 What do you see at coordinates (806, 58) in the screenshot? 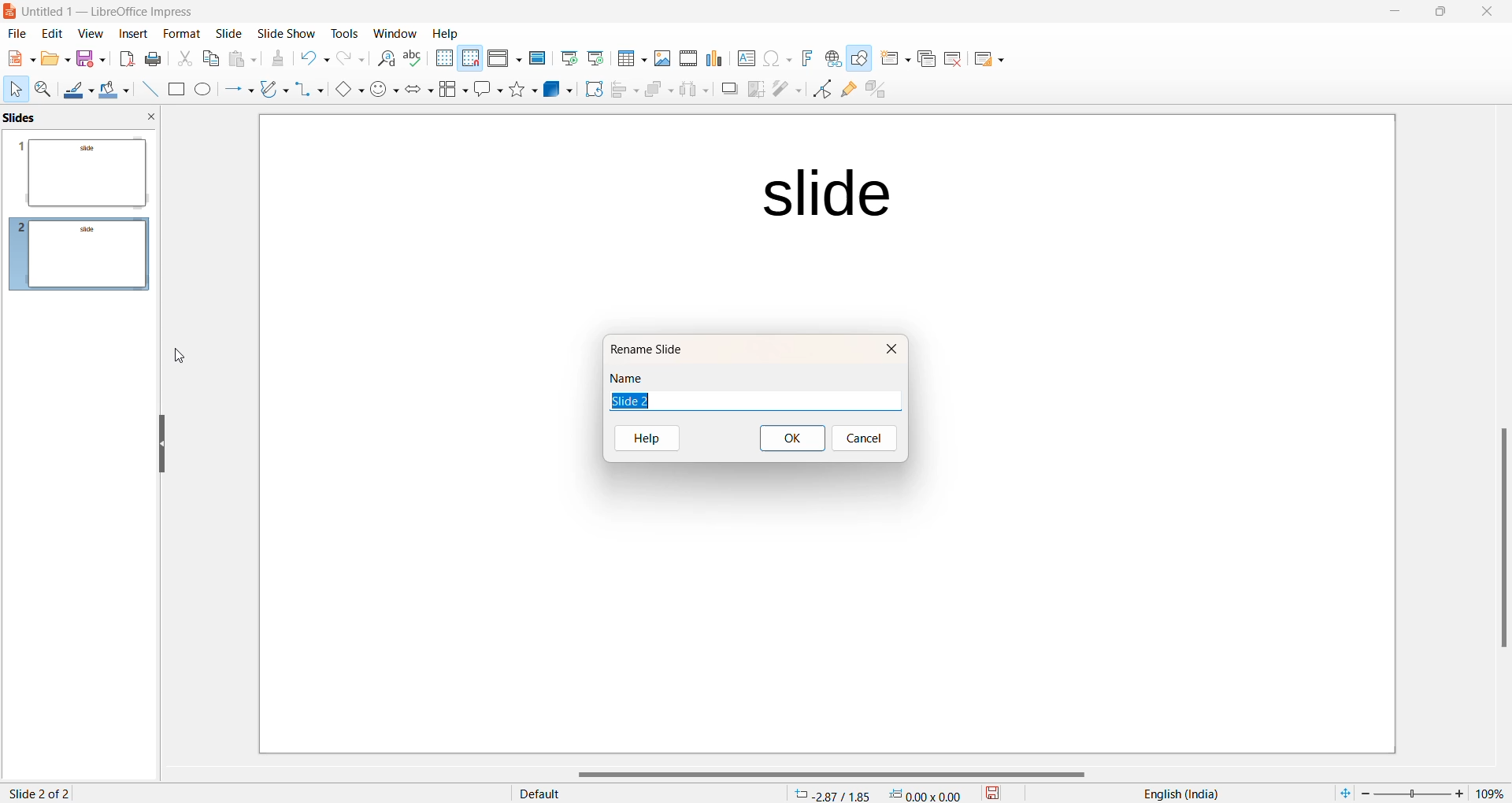
I see `Insert font work text` at bounding box center [806, 58].